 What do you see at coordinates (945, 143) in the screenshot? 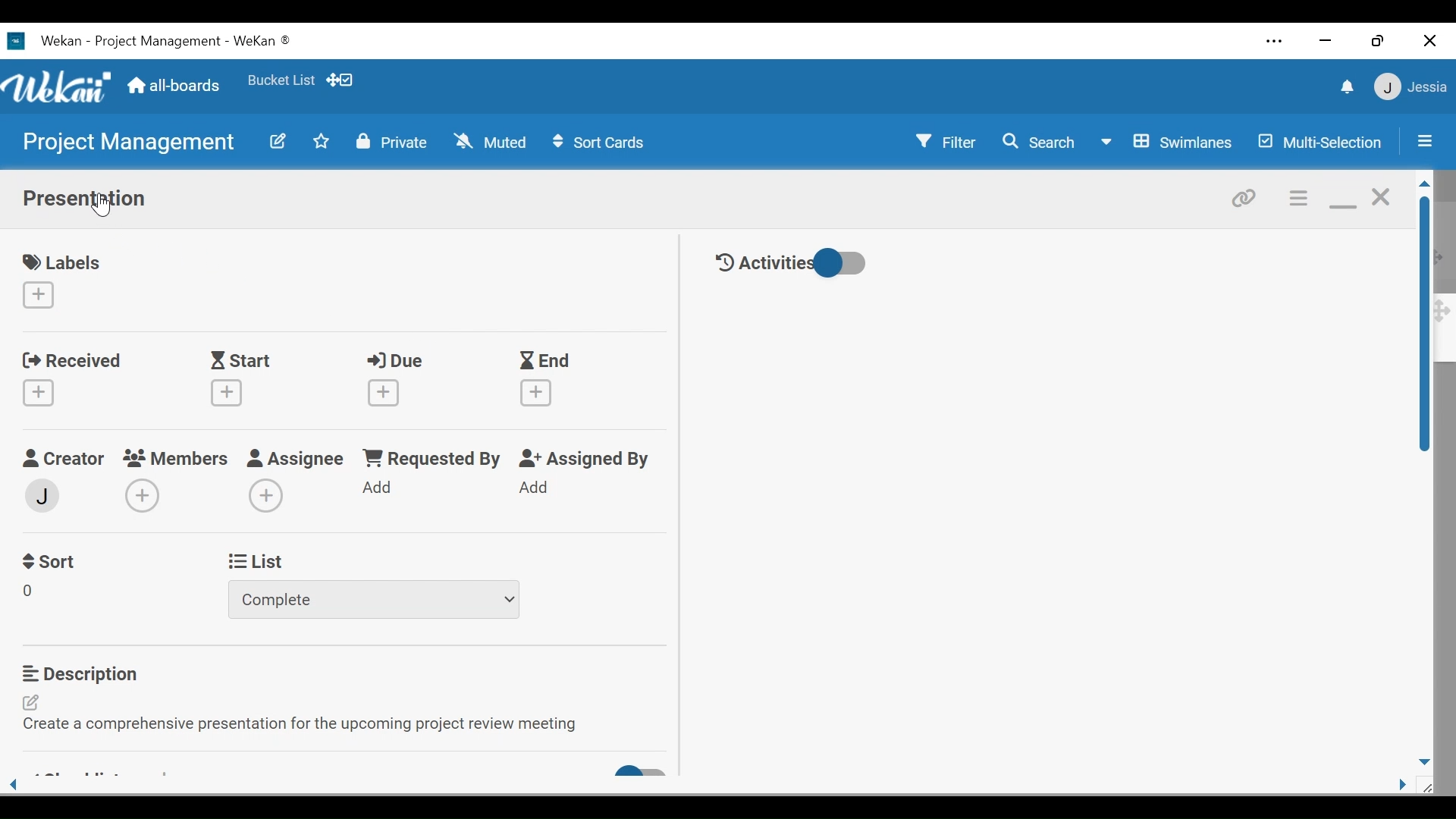
I see `Filter` at bounding box center [945, 143].